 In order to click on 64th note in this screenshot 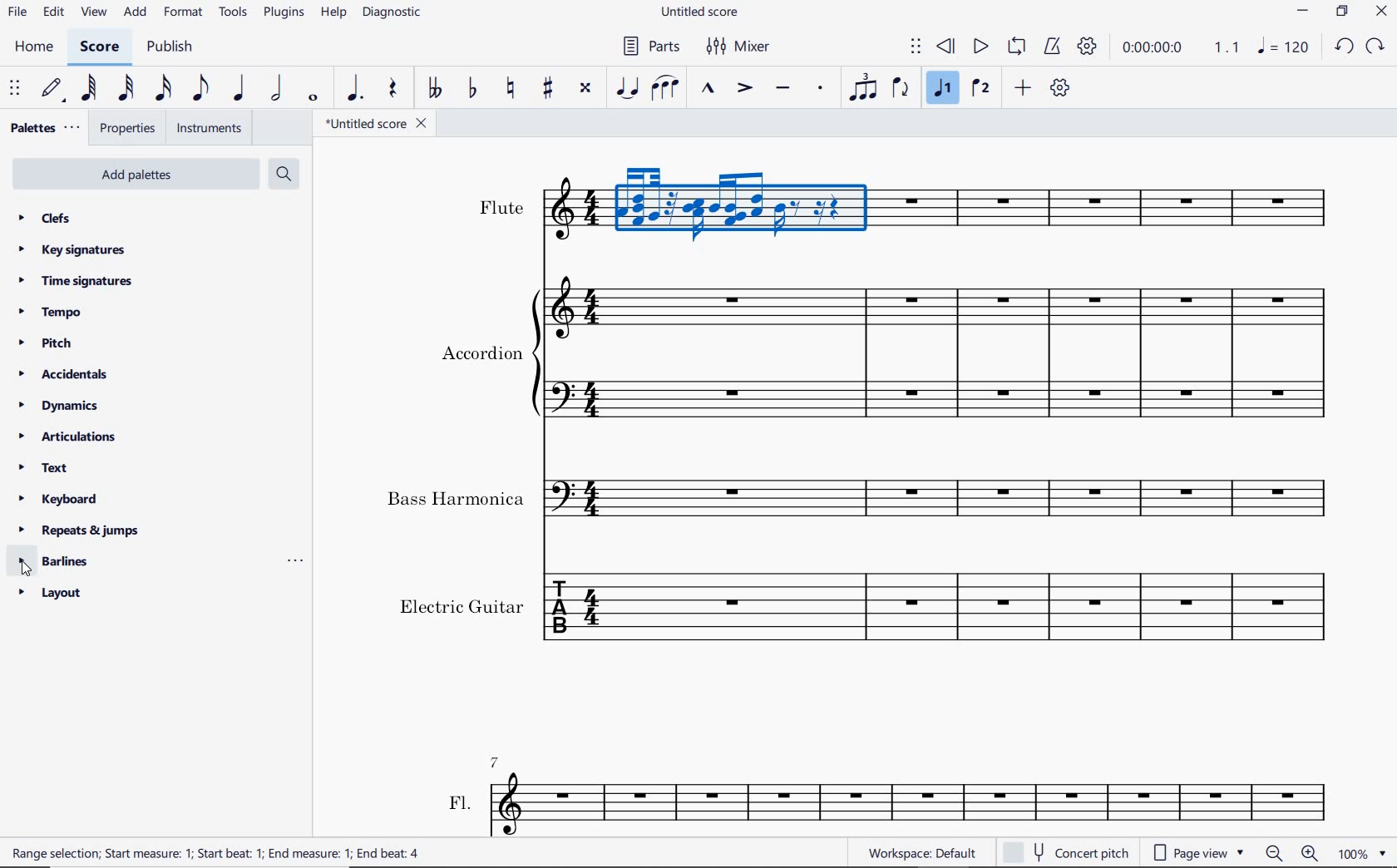, I will do `click(87, 89)`.